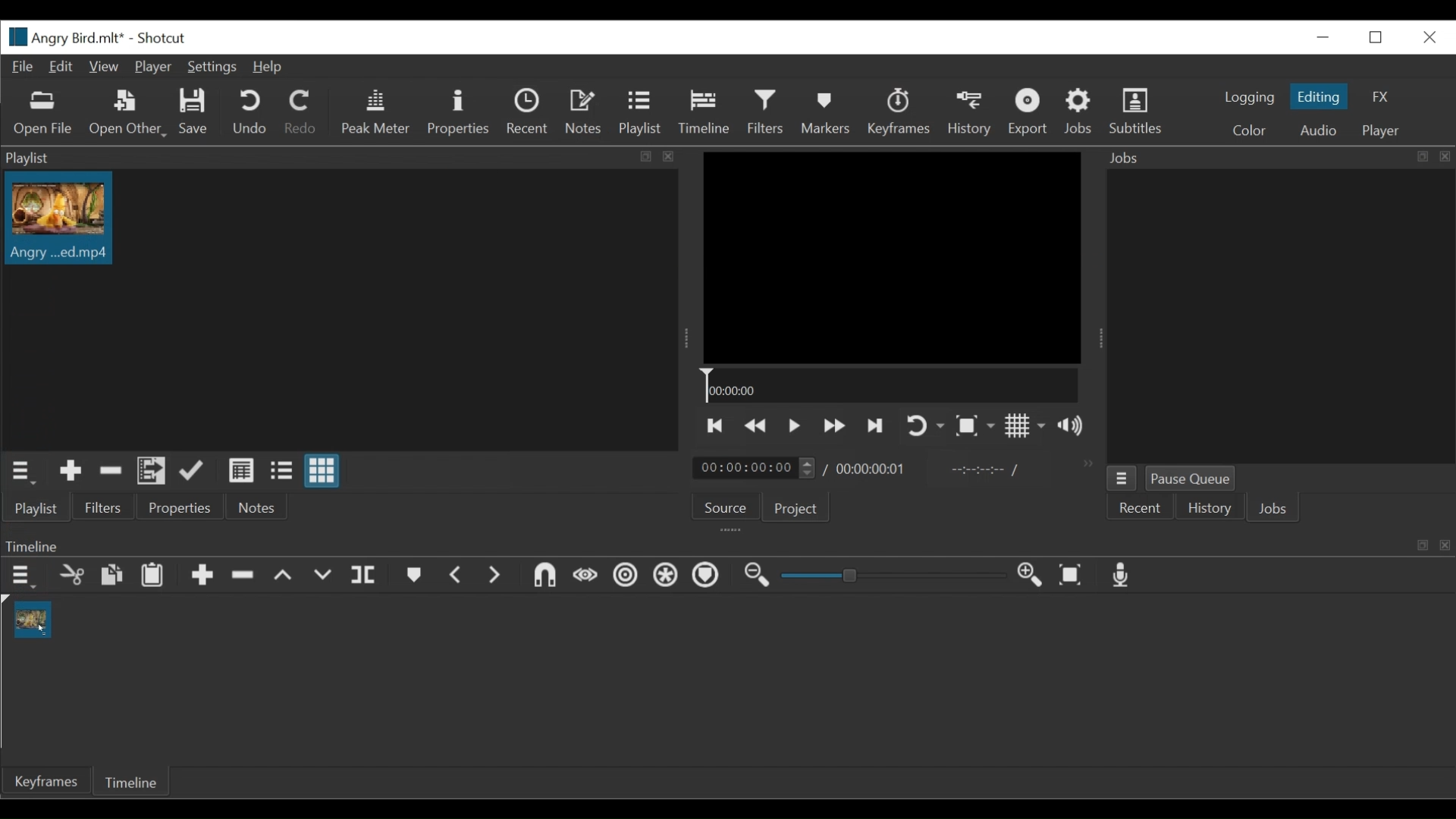 The width and height of the screenshot is (1456, 819). What do you see at coordinates (1028, 428) in the screenshot?
I see `Toggle display grid on player` at bounding box center [1028, 428].